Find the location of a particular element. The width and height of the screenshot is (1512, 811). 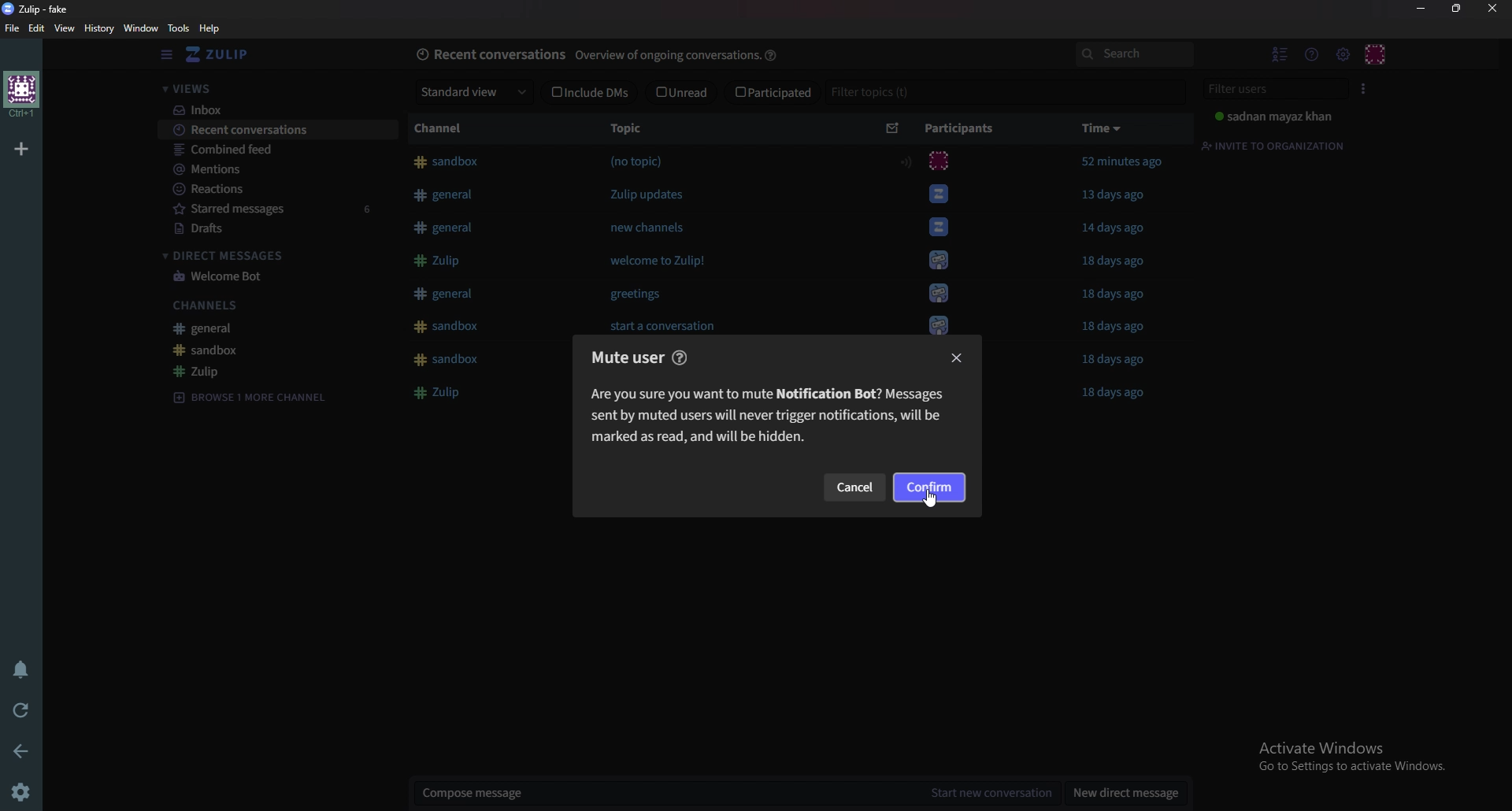

#general is located at coordinates (448, 228).